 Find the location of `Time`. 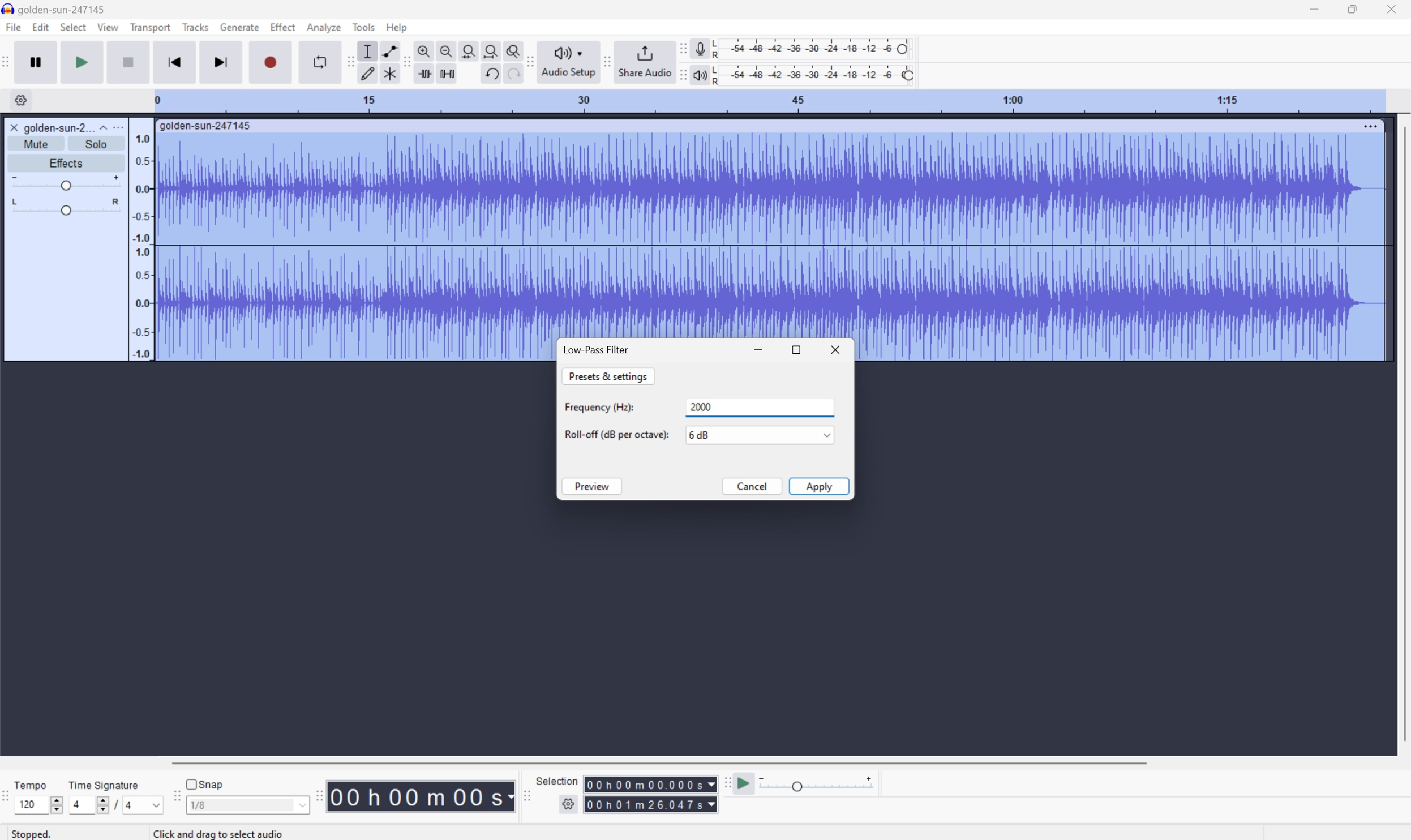

Time is located at coordinates (422, 795).